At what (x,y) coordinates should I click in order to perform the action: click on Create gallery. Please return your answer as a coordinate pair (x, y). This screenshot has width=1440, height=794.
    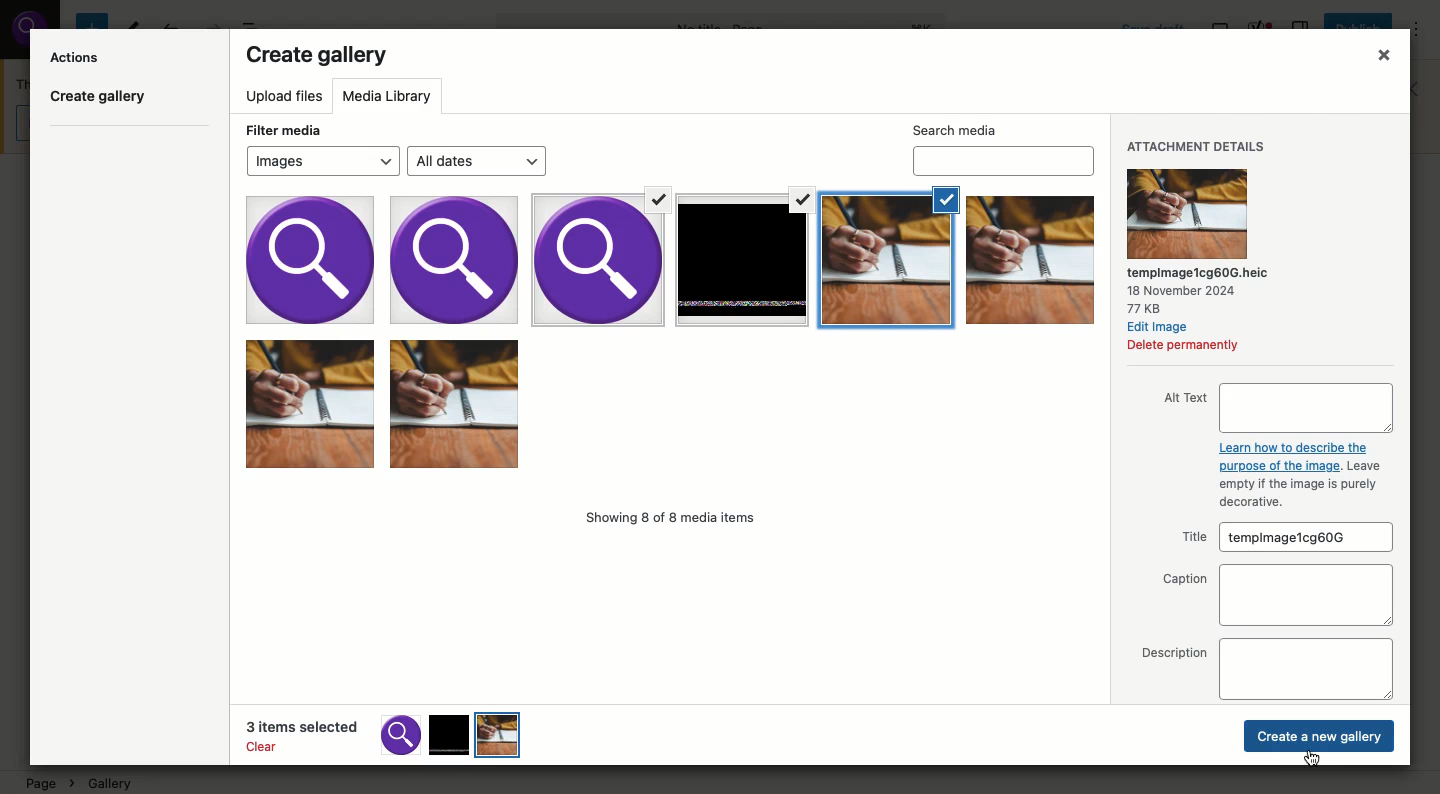
    Looking at the image, I should click on (100, 100).